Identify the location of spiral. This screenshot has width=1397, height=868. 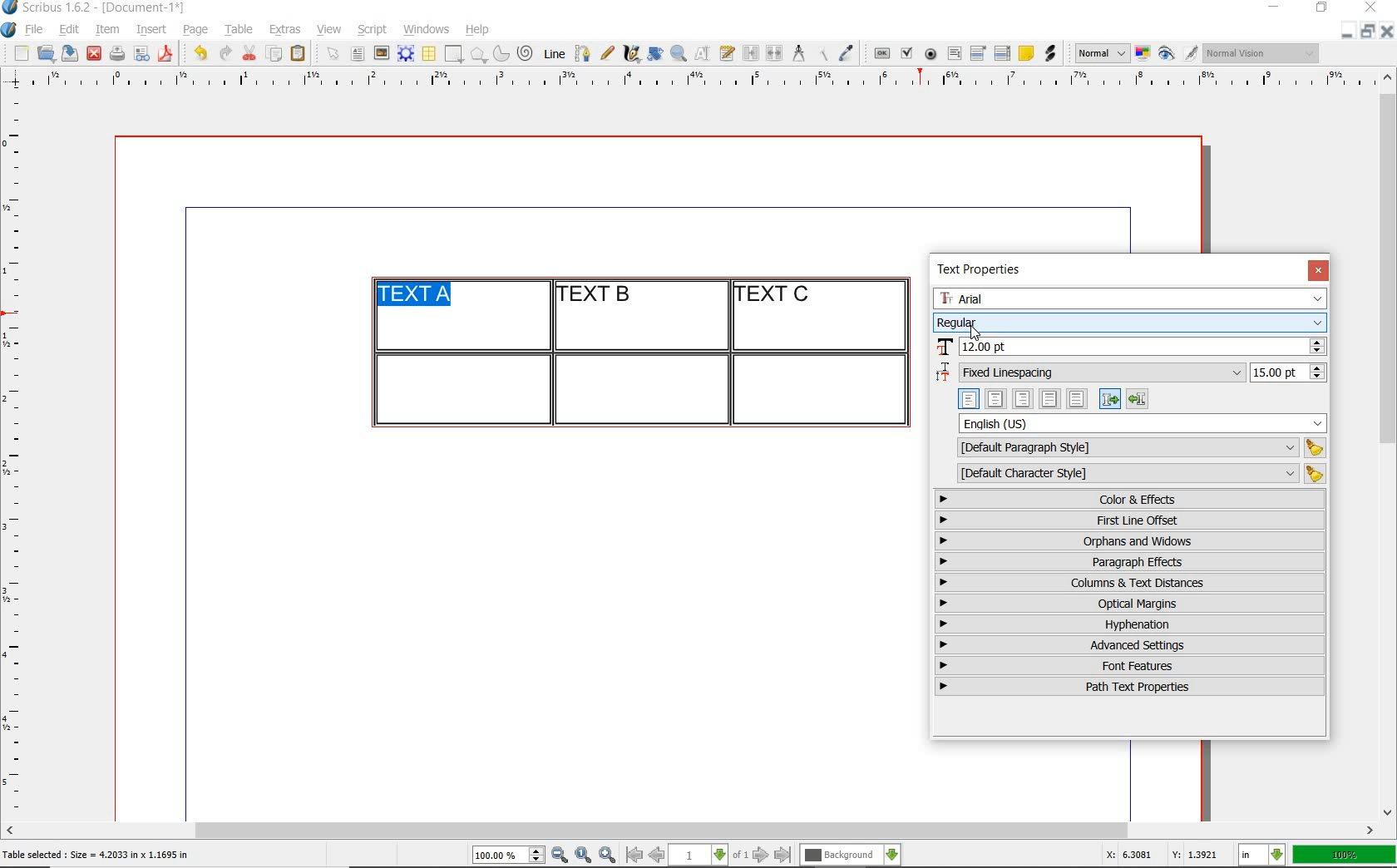
(526, 53).